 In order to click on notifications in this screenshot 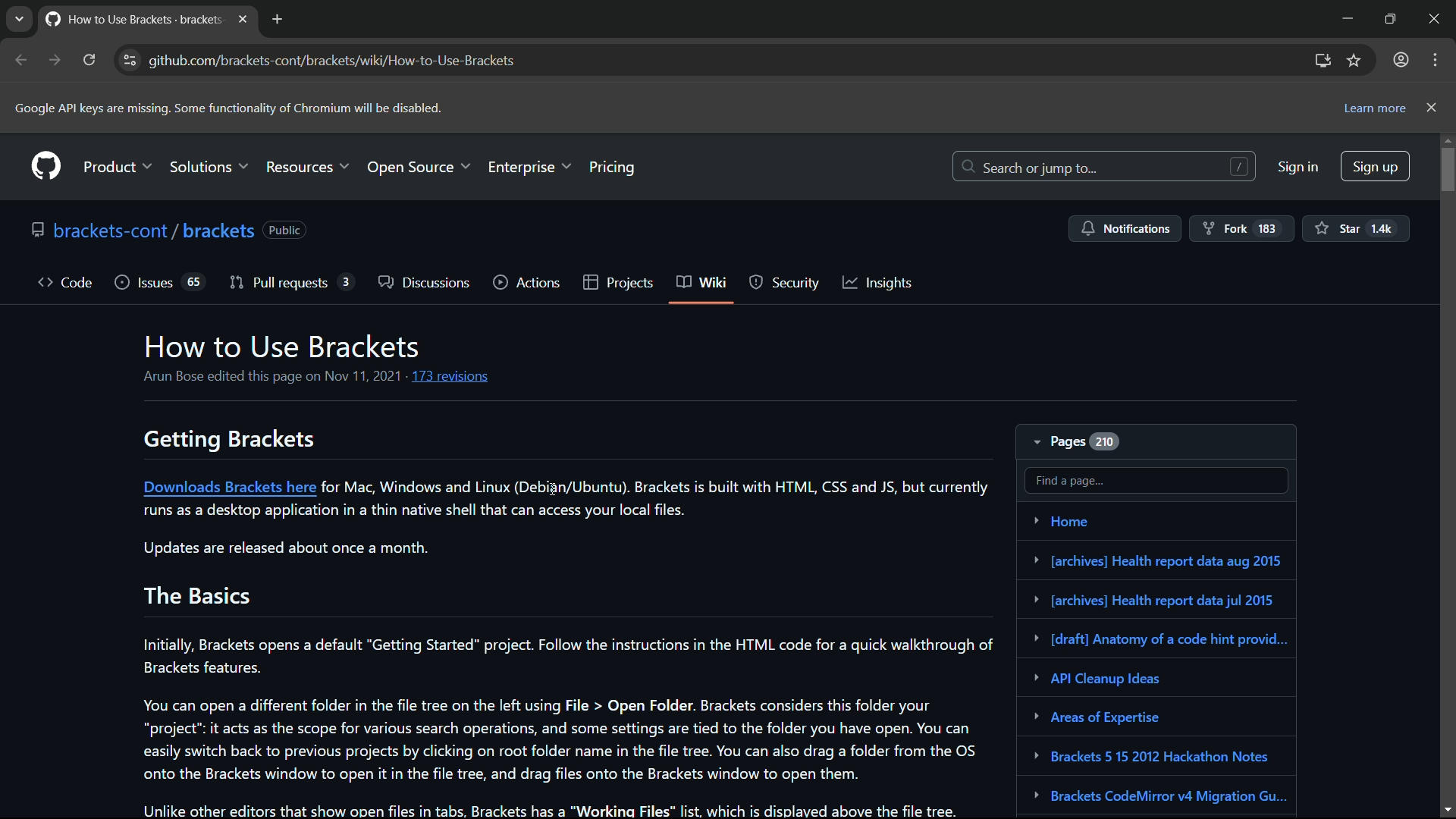, I will do `click(1123, 229)`.